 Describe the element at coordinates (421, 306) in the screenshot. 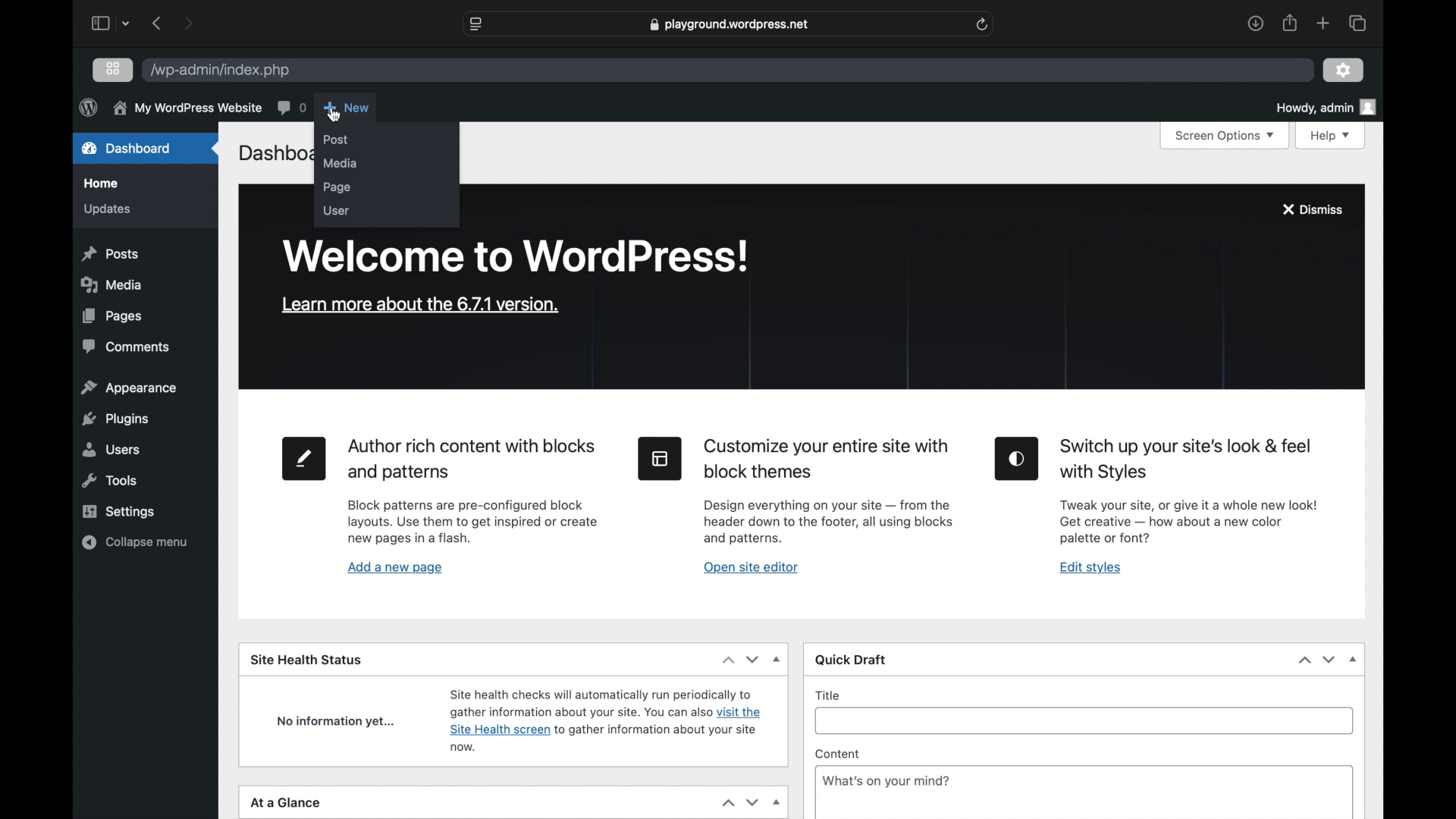

I see `learn more about the version 6.7.1` at that location.